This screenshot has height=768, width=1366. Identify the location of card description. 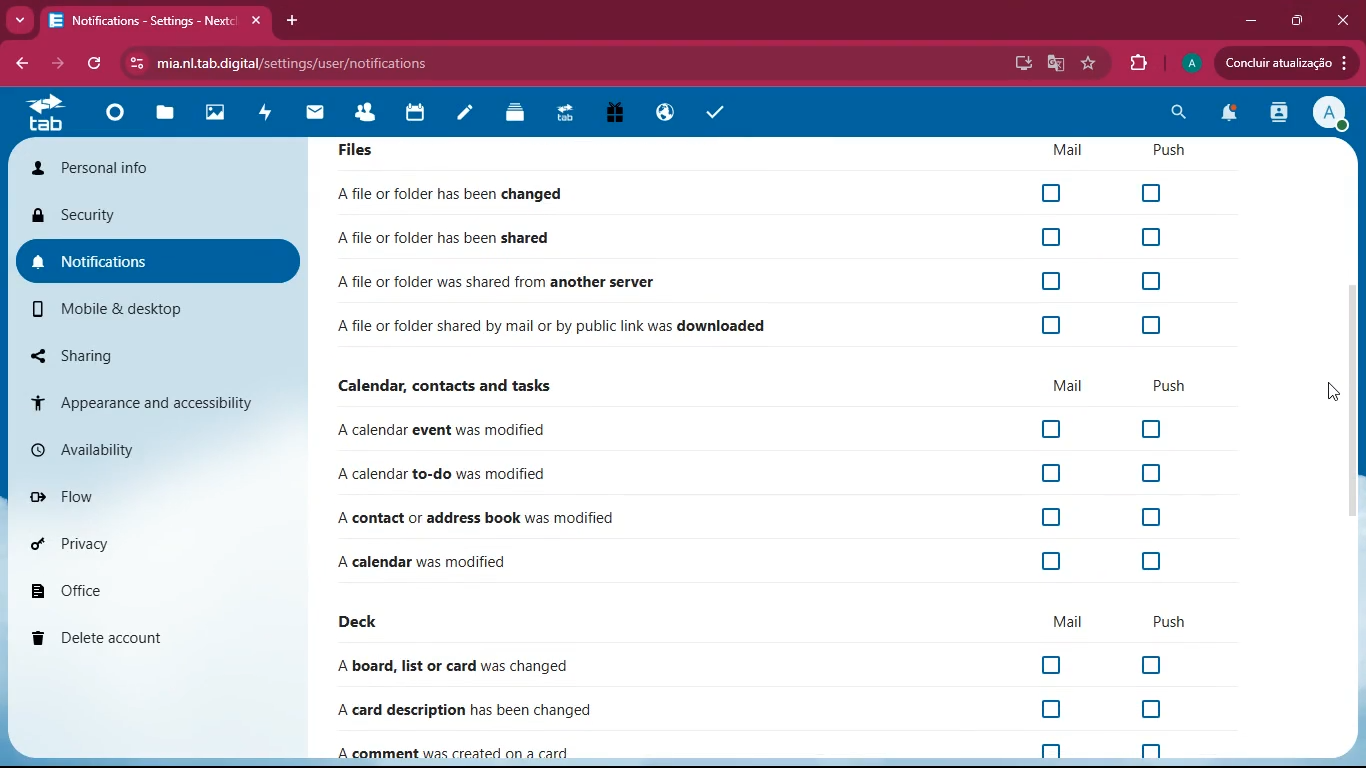
(473, 708).